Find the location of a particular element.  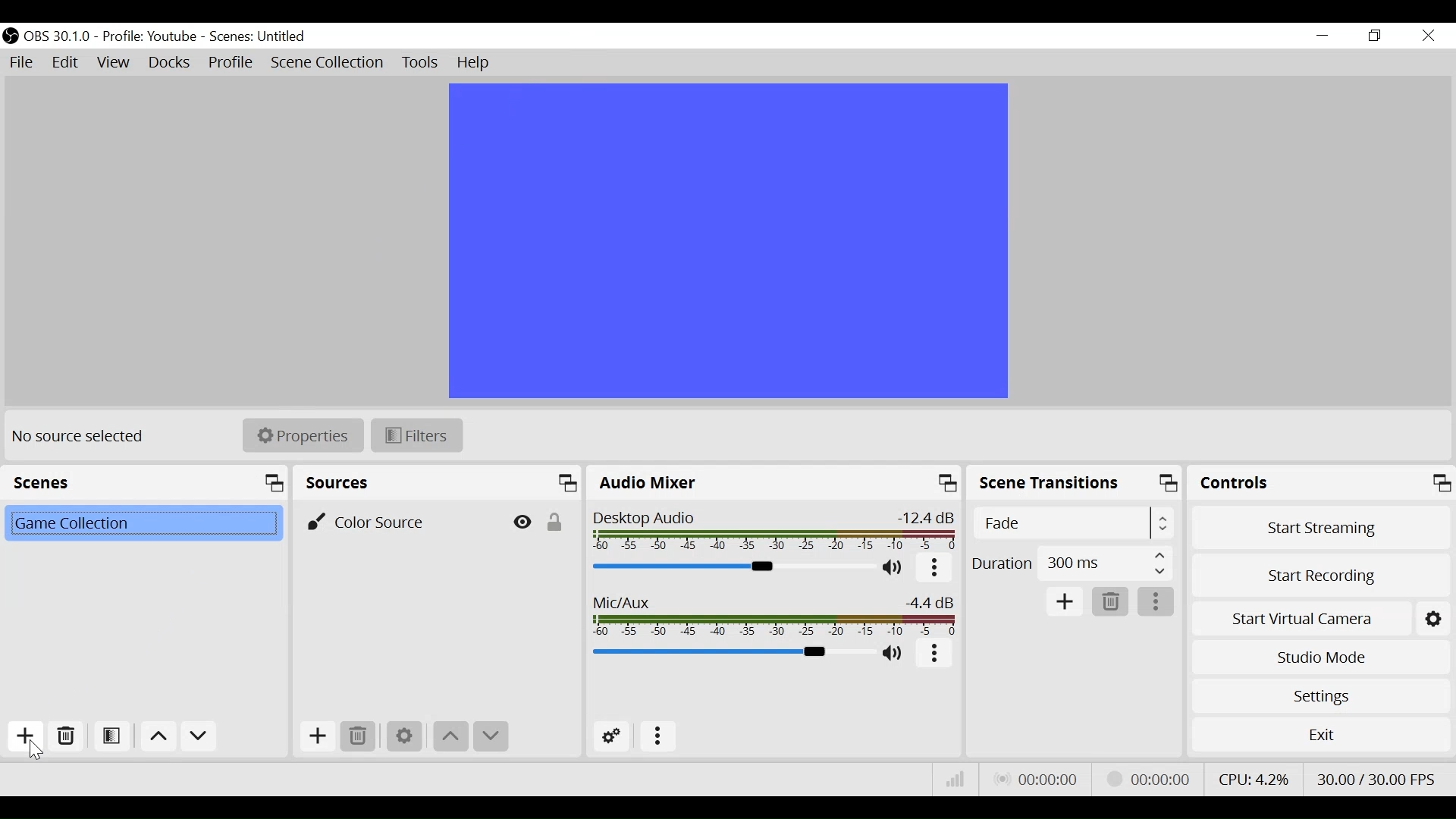

more options is located at coordinates (934, 570).